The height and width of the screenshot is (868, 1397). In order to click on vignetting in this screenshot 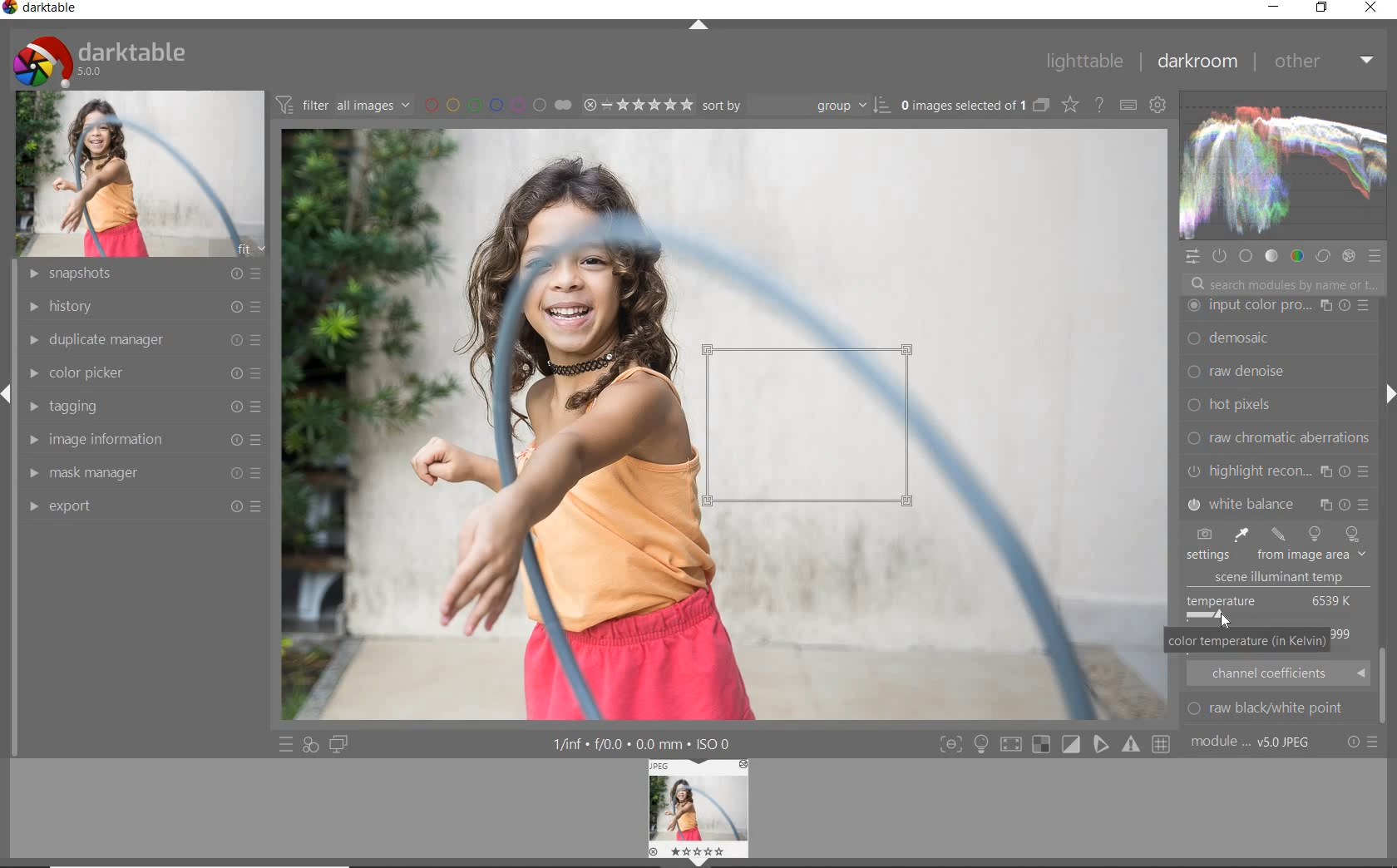, I will do `click(1277, 471)`.